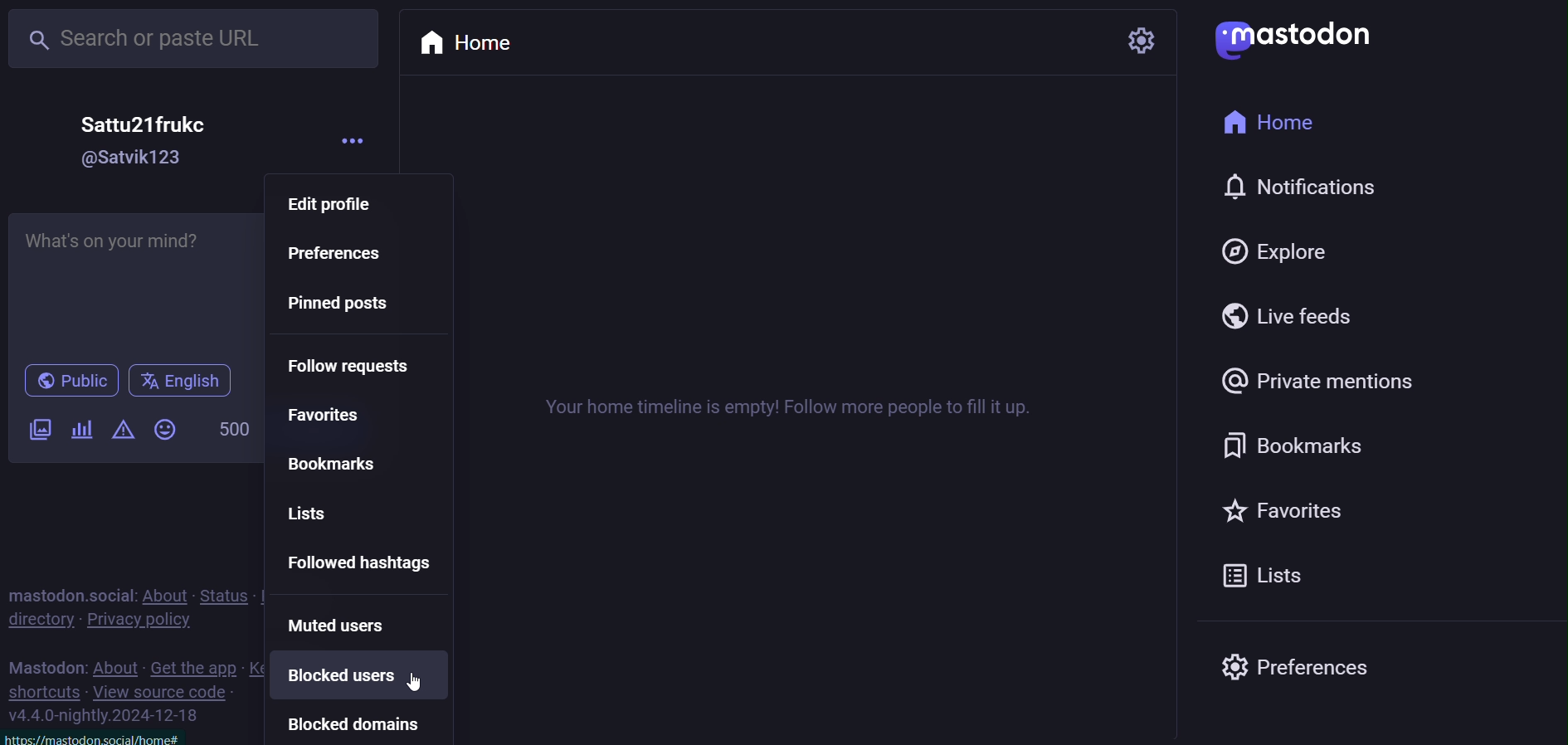  What do you see at coordinates (342, 254) in the screenshot?
I see `preferences` at bounding box center [342, 254].